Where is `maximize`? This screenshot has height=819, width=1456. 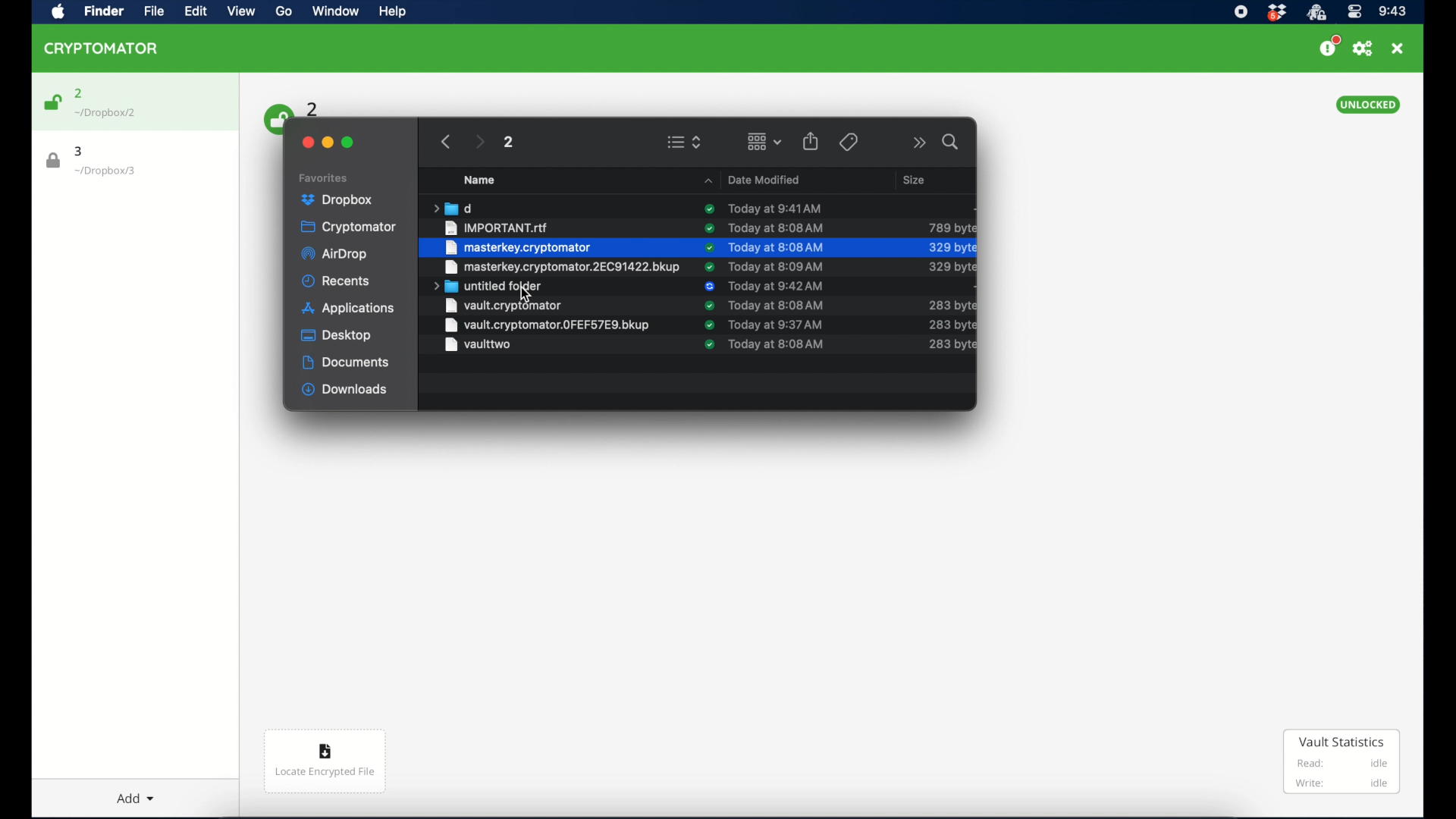 maximize is located at coordinates (348, 143).